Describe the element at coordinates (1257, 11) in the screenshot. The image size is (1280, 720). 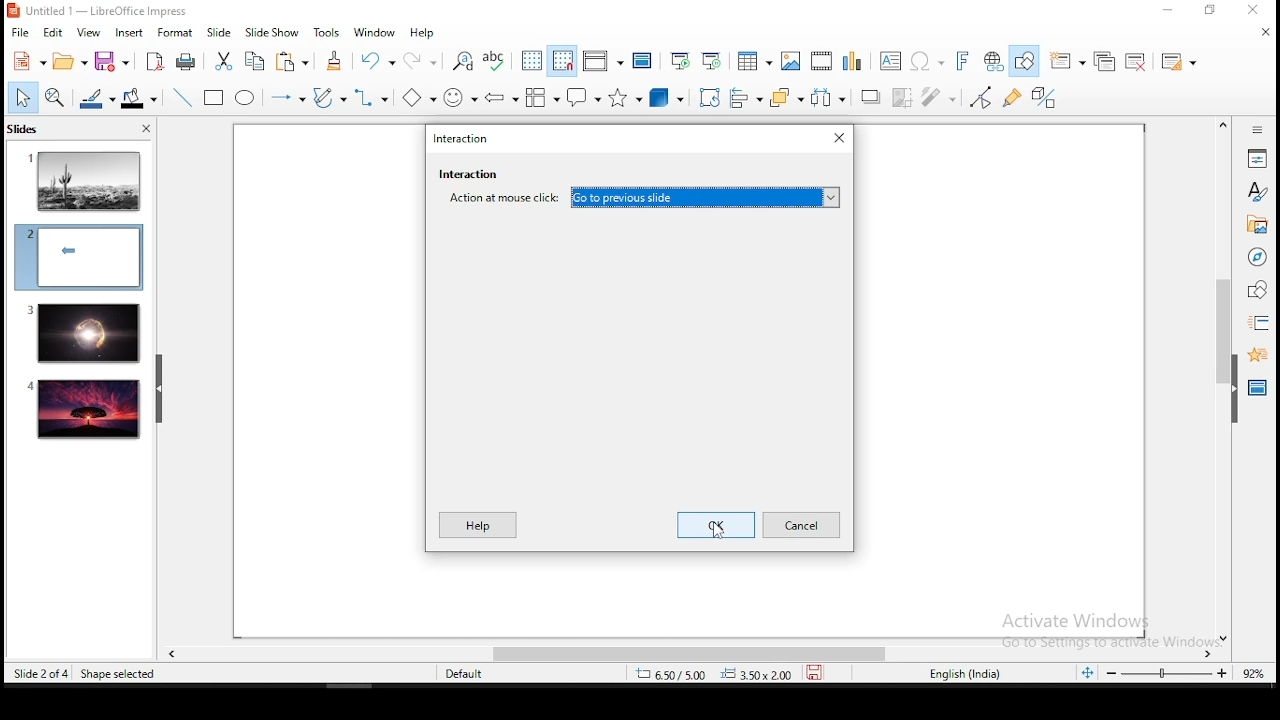
I see `close window` at that location.